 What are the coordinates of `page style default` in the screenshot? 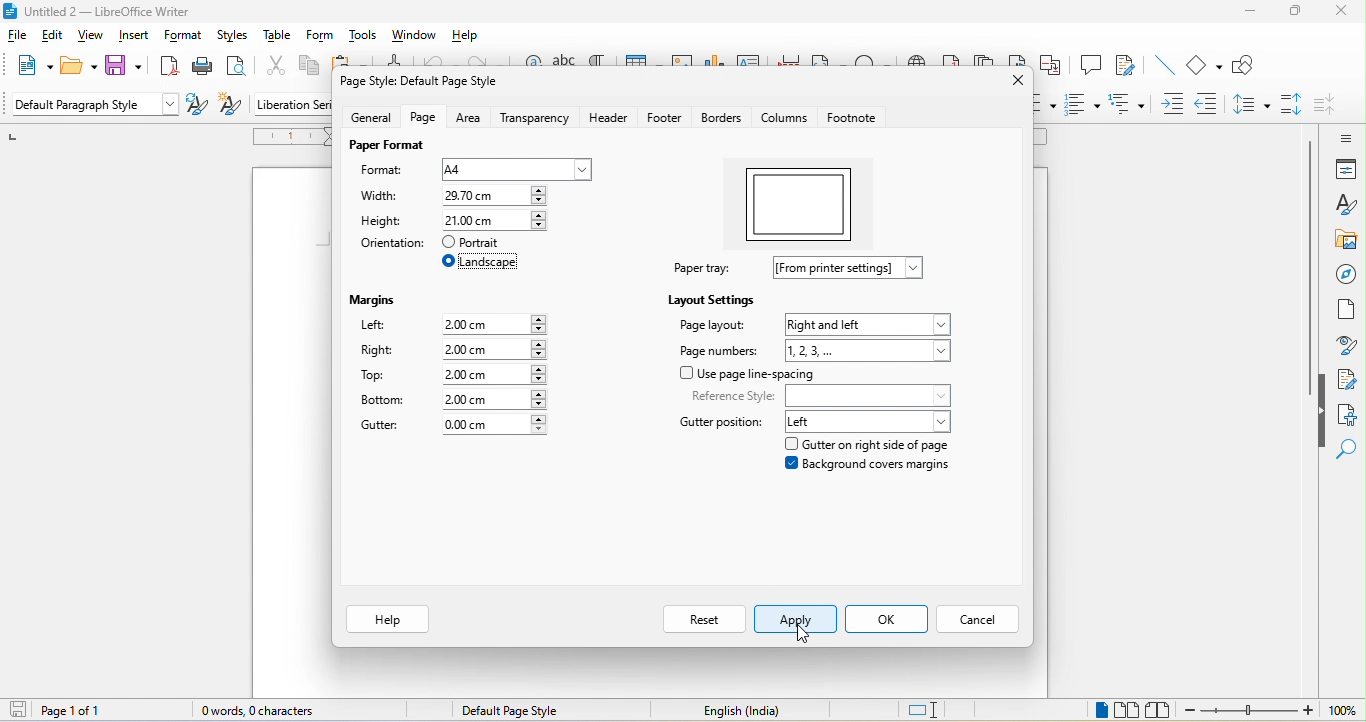 It's located at (426, 79).